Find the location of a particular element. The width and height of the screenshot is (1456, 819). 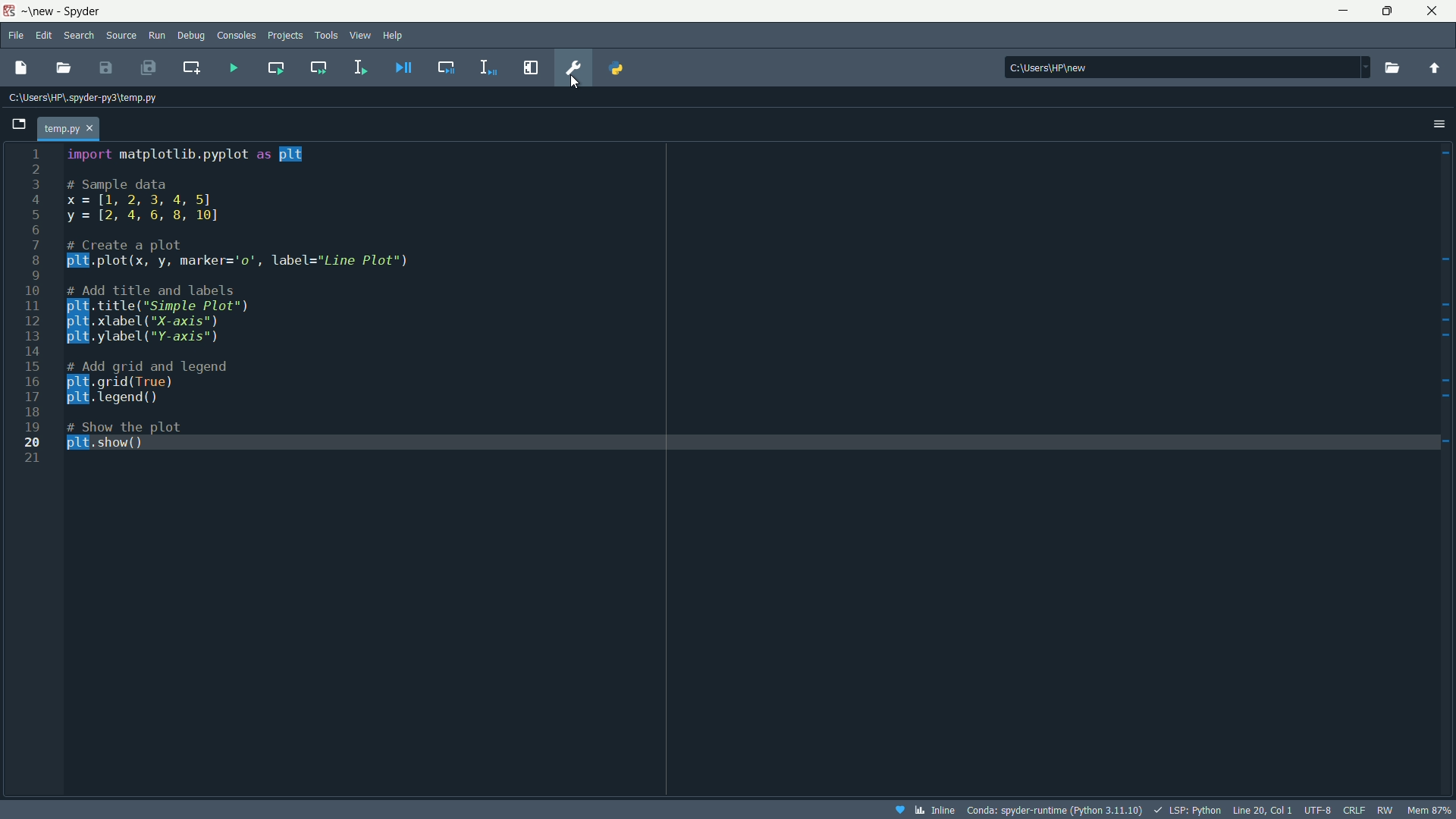

browse directory is located at coordinates (1392, 67).